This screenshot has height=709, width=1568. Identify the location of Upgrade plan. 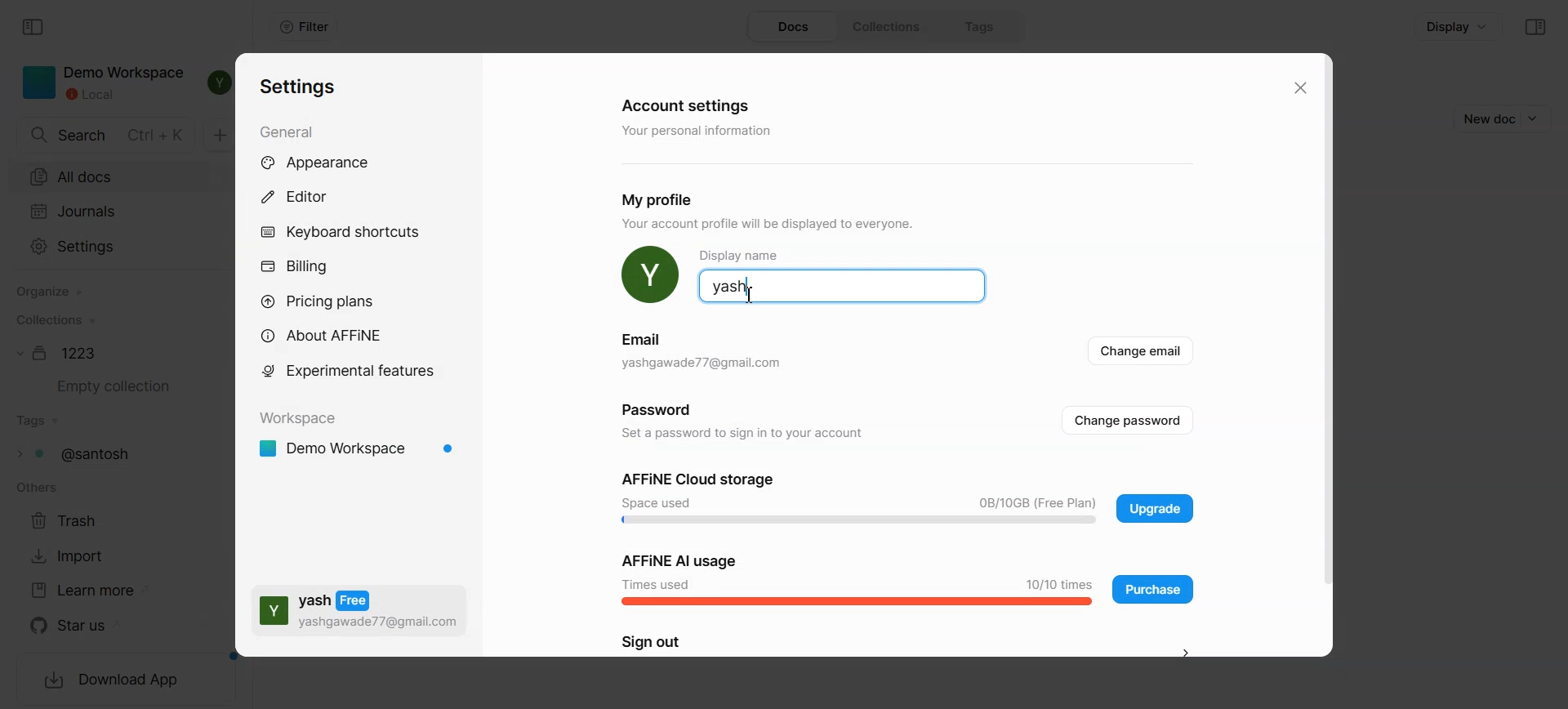
(1154, 508).